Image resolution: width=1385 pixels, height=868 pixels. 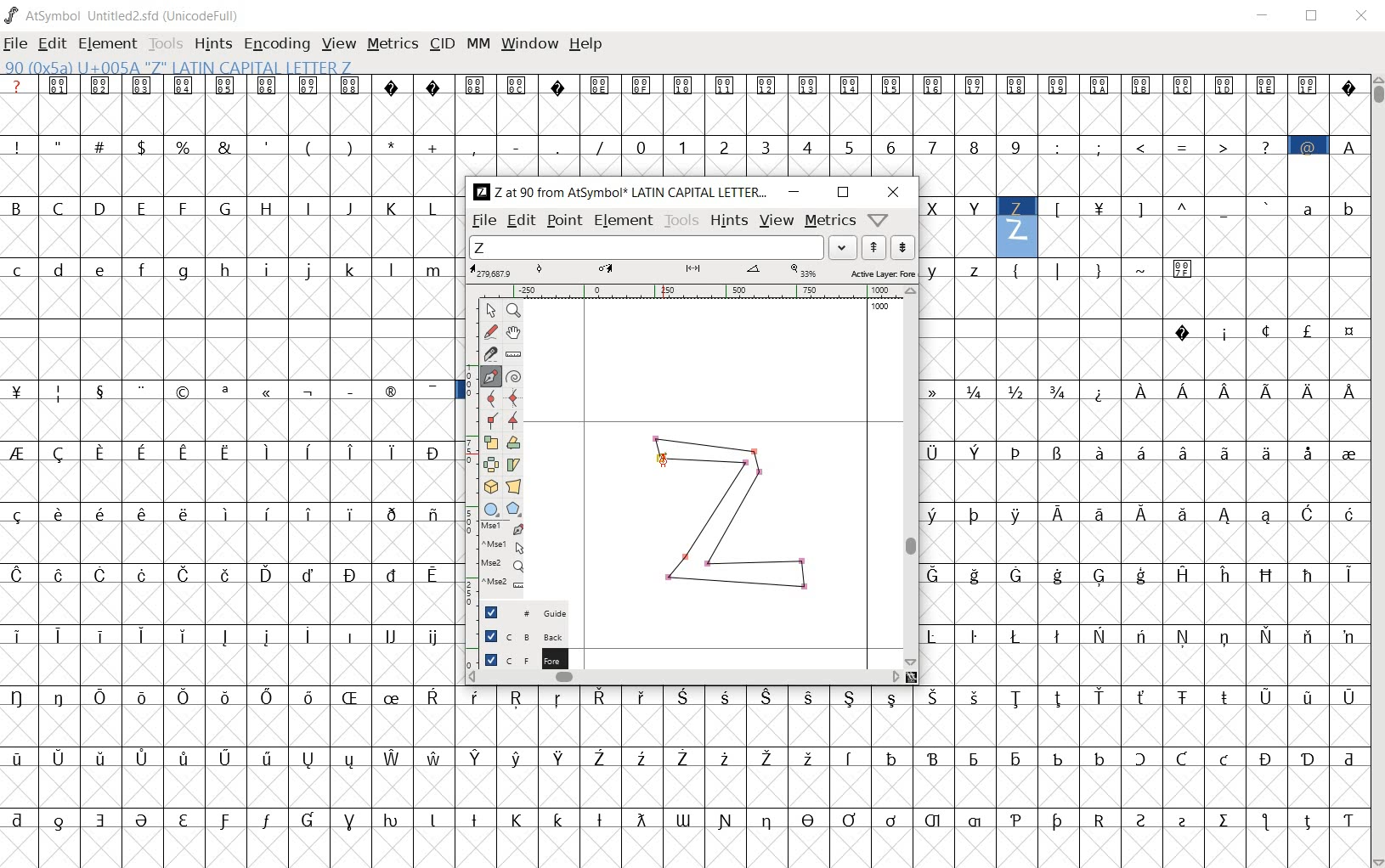 I want to click on glyph characters, so click(x=229, y=471).